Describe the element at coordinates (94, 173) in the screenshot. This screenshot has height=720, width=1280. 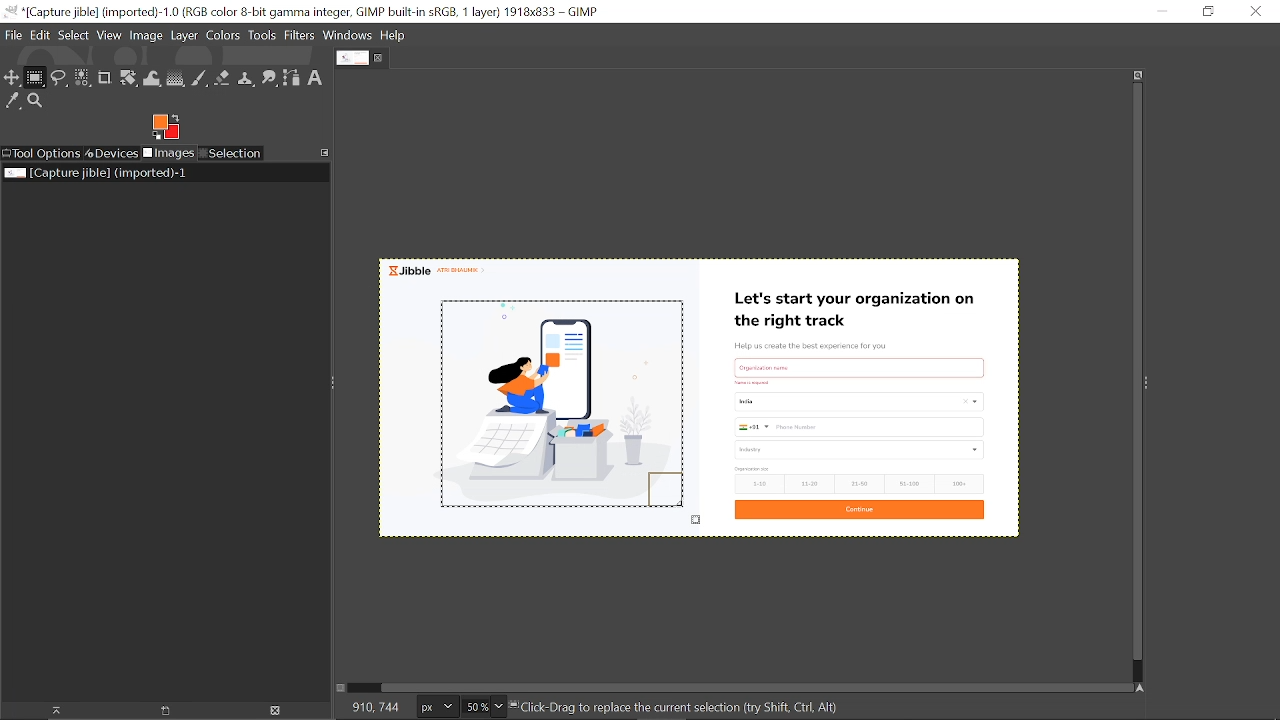
I see `Current image` at that location.